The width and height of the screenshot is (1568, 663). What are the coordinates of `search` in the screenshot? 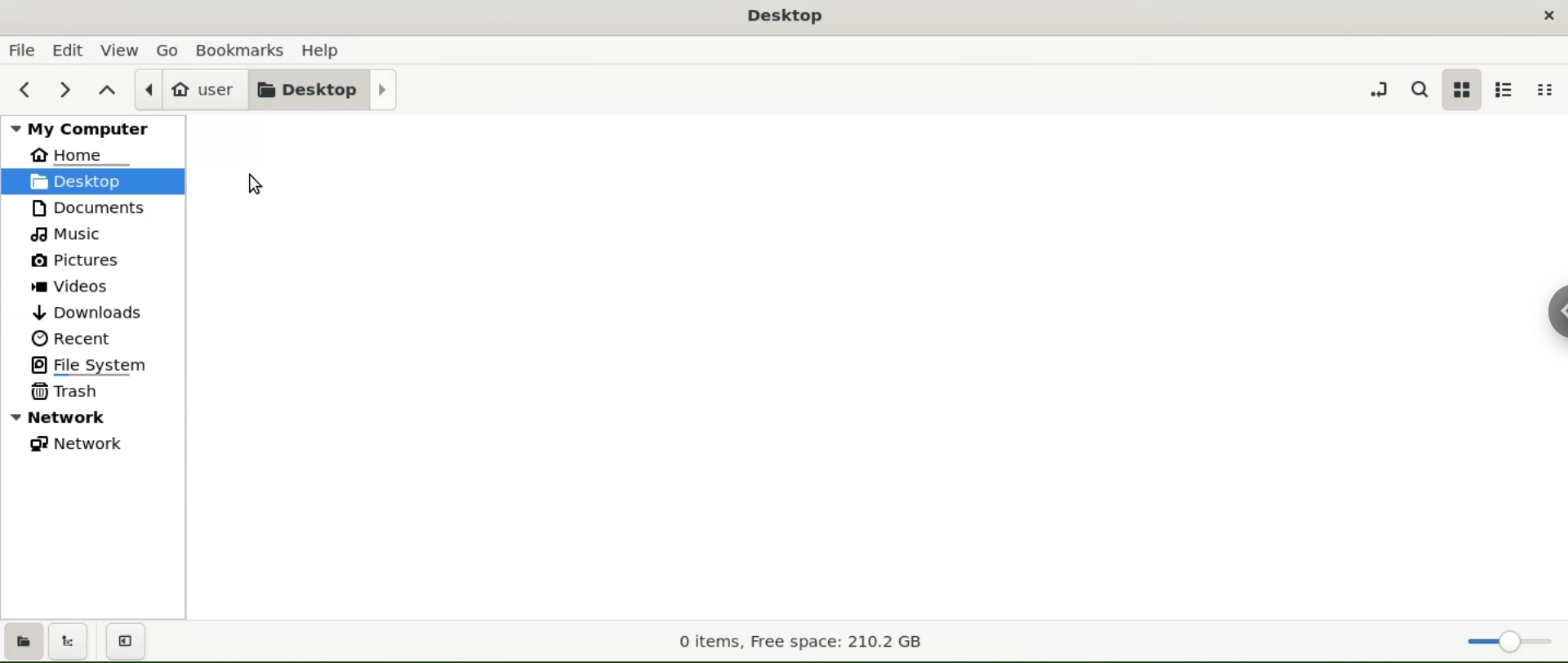 It's located at (1419, 90).